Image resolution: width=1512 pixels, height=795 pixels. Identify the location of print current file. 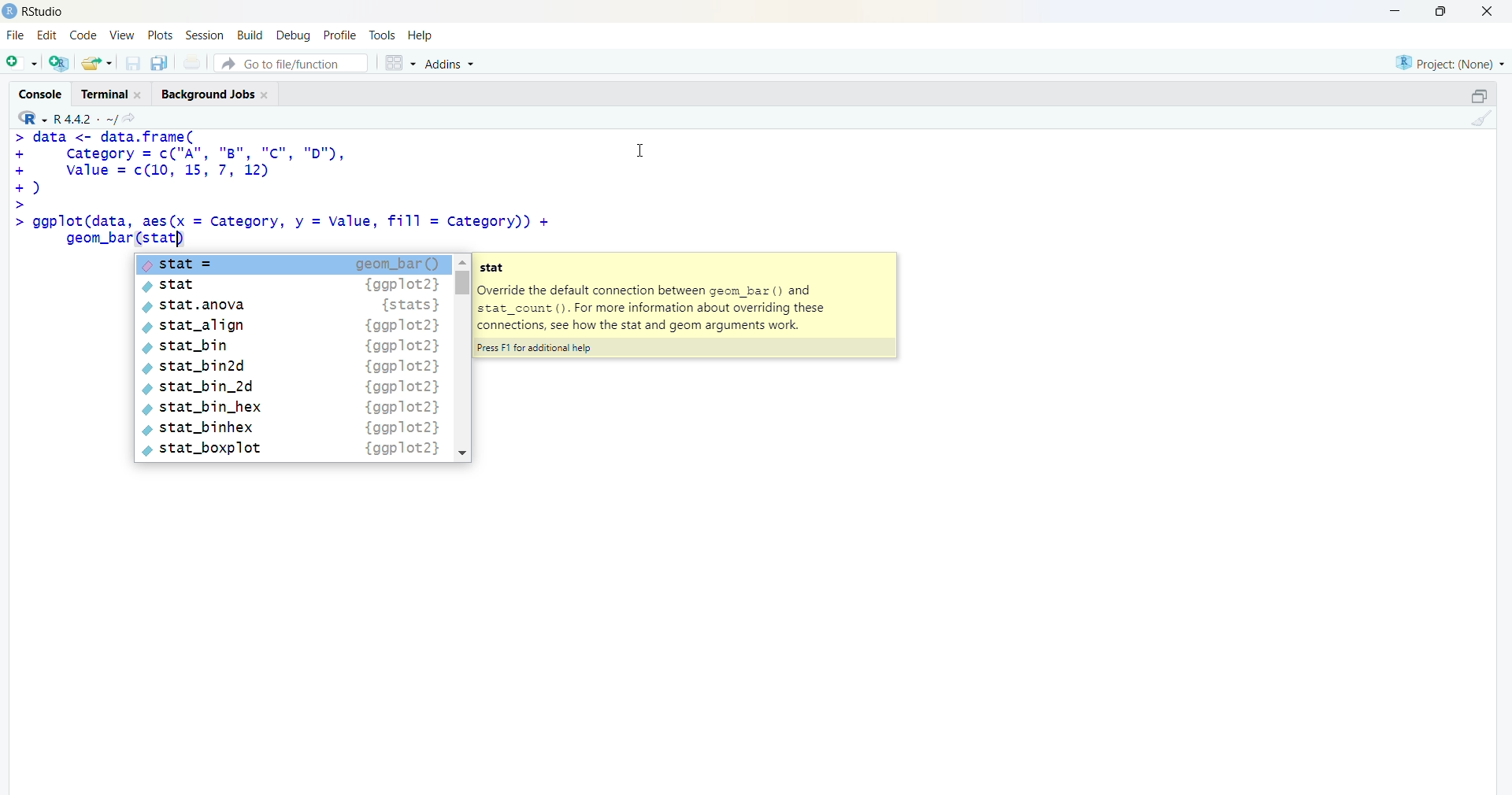
(190, 62).